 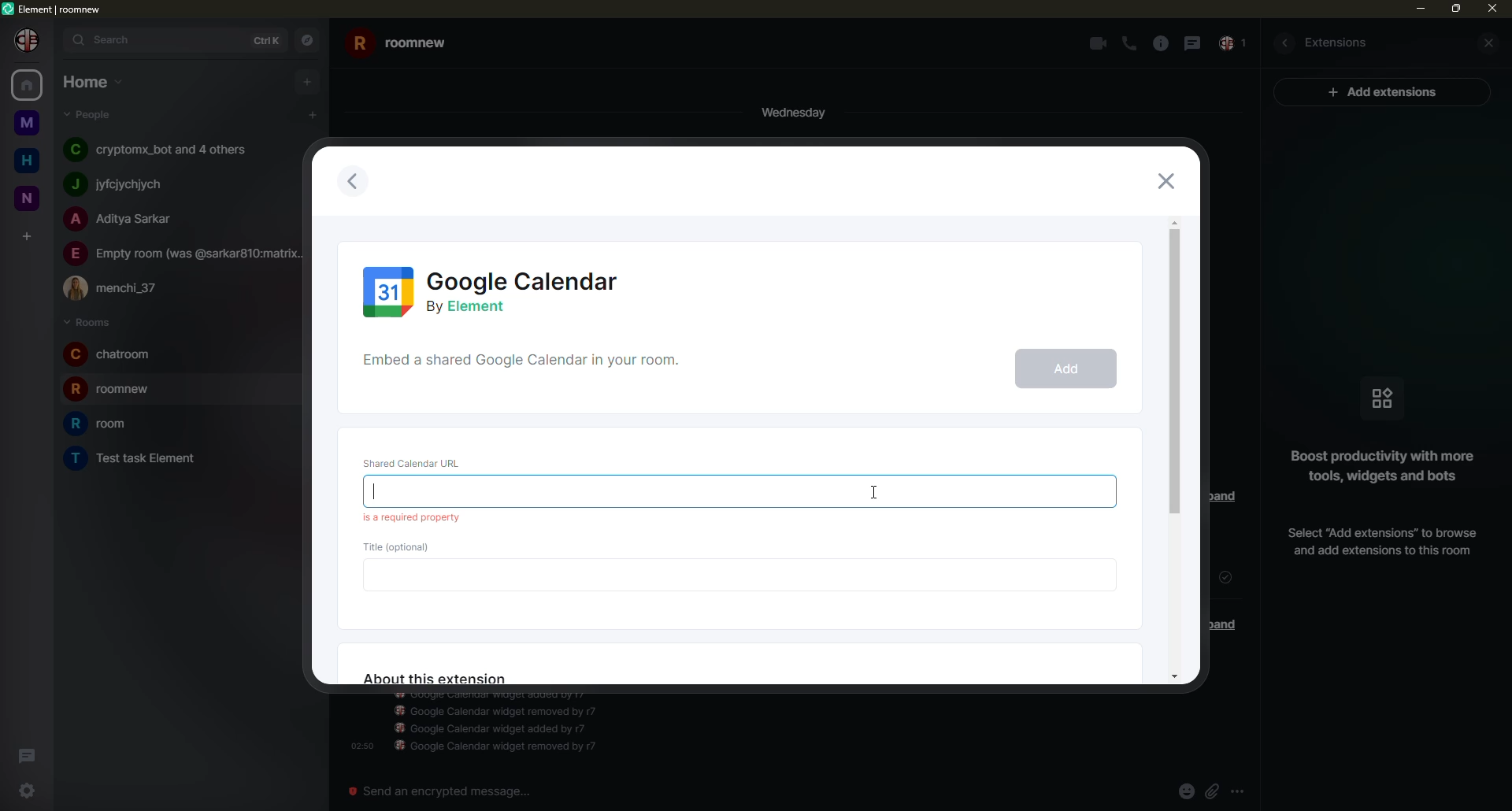 What do you see at coordinates (185, 254) in the screenshot?
I see `people` at bounding box center [185, 254].